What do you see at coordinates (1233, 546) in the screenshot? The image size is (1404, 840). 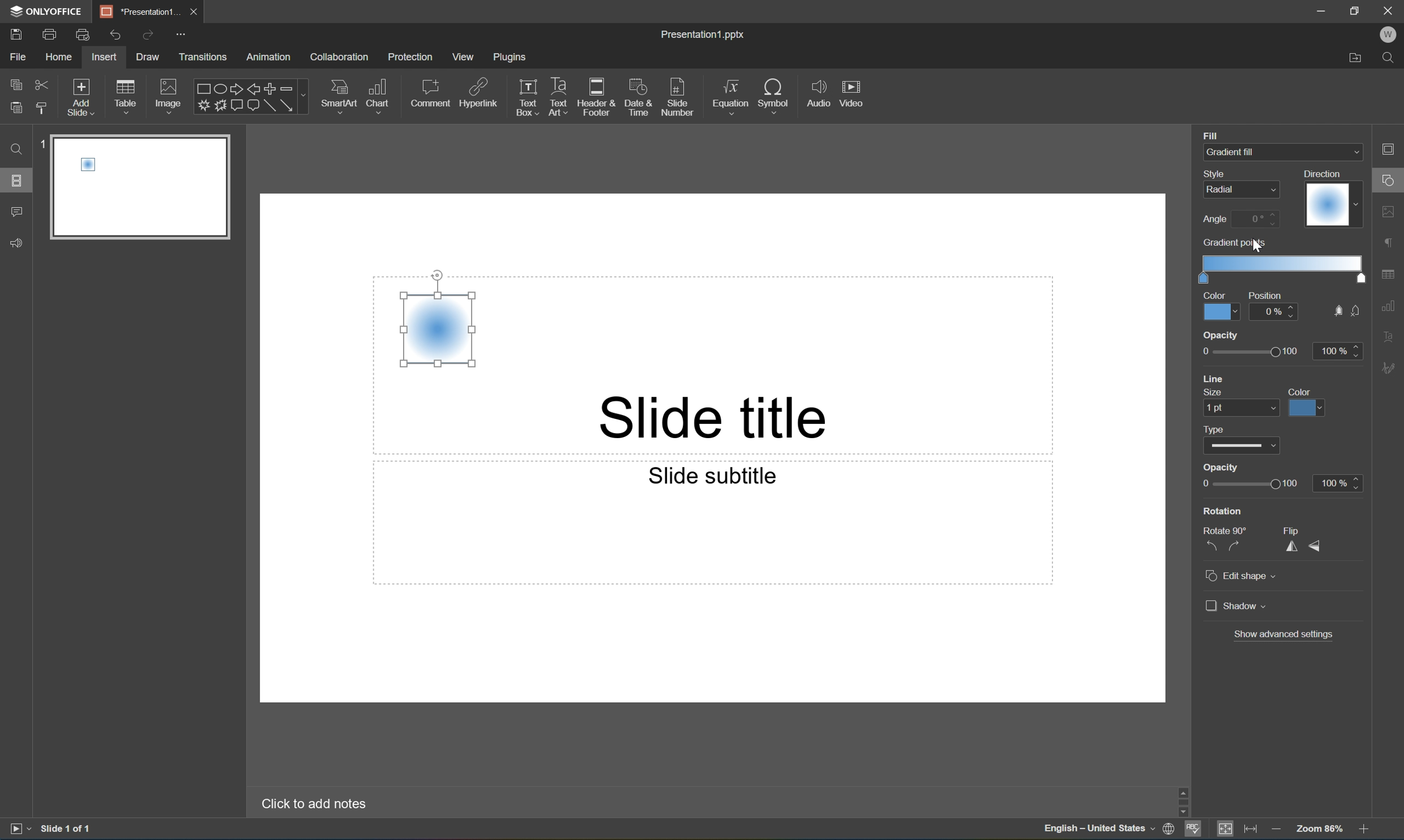 I see `Rotate 90° clockwise` at bounding box center [1233, 546].